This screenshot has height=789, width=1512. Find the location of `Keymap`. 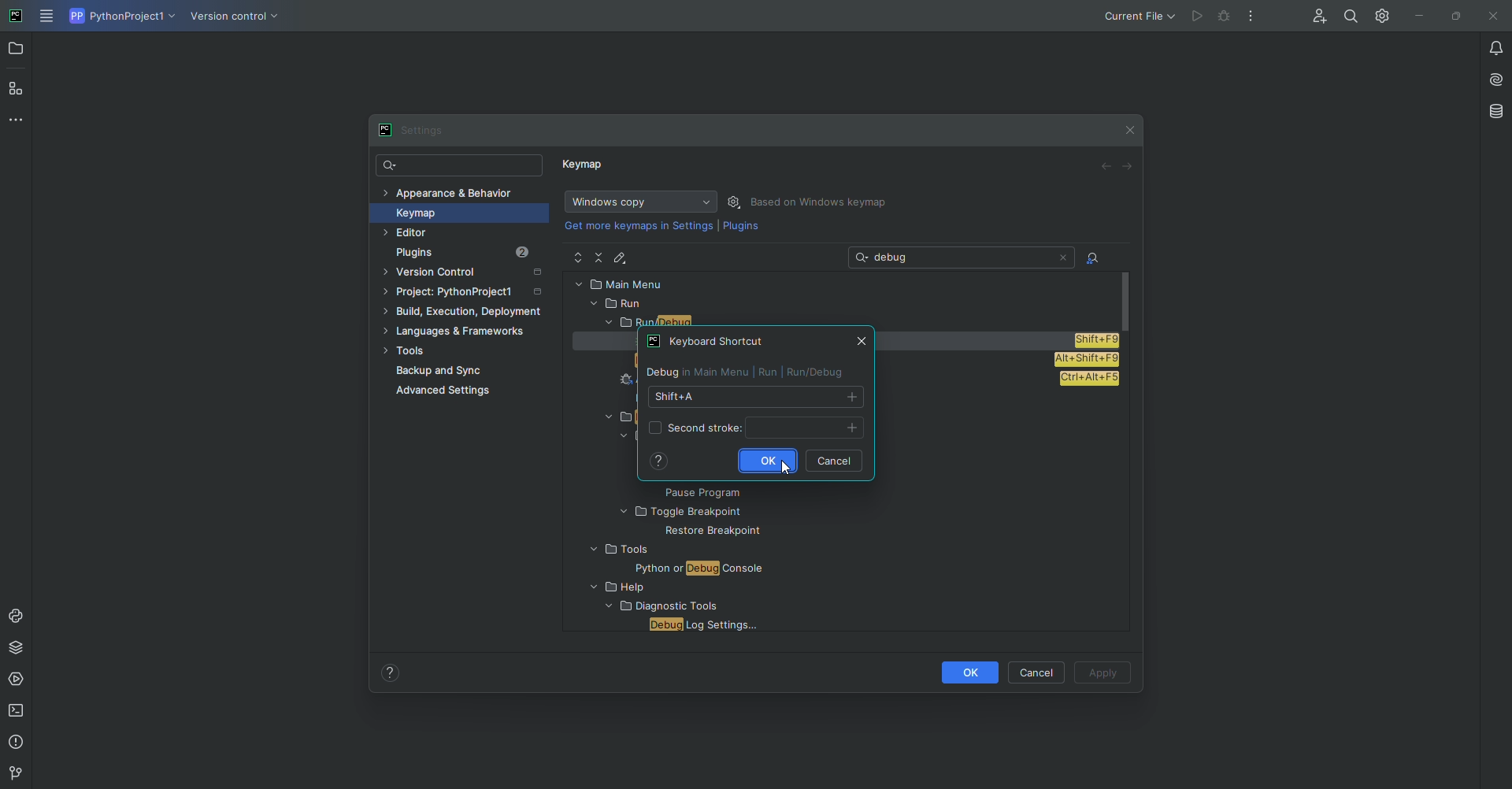

Keymap is located at coordinates (454, 213).